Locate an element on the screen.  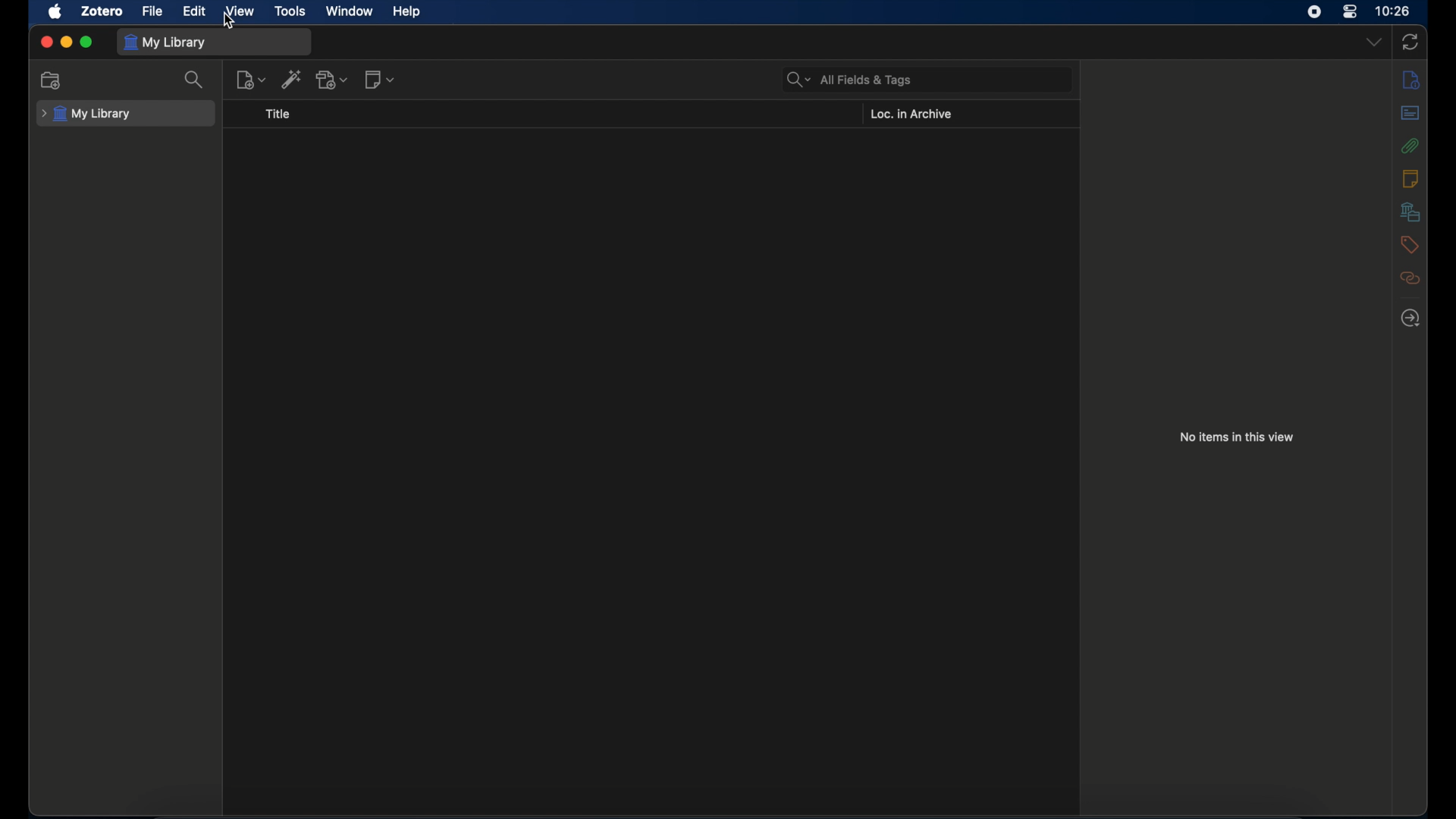
sync is located at coordinates (1410, 42).